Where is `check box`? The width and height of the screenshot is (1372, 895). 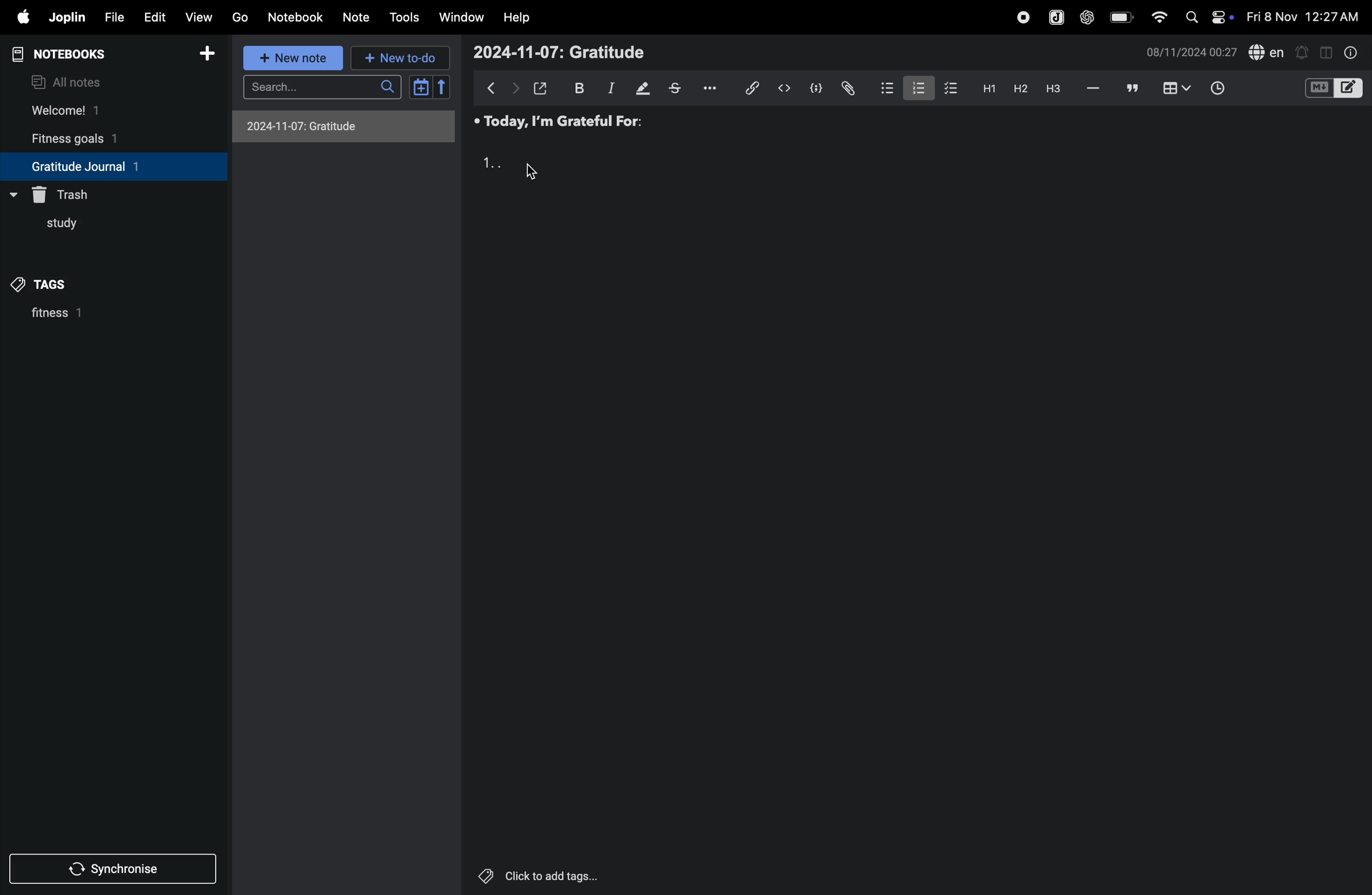 check box is located at coordinates (948, 88).